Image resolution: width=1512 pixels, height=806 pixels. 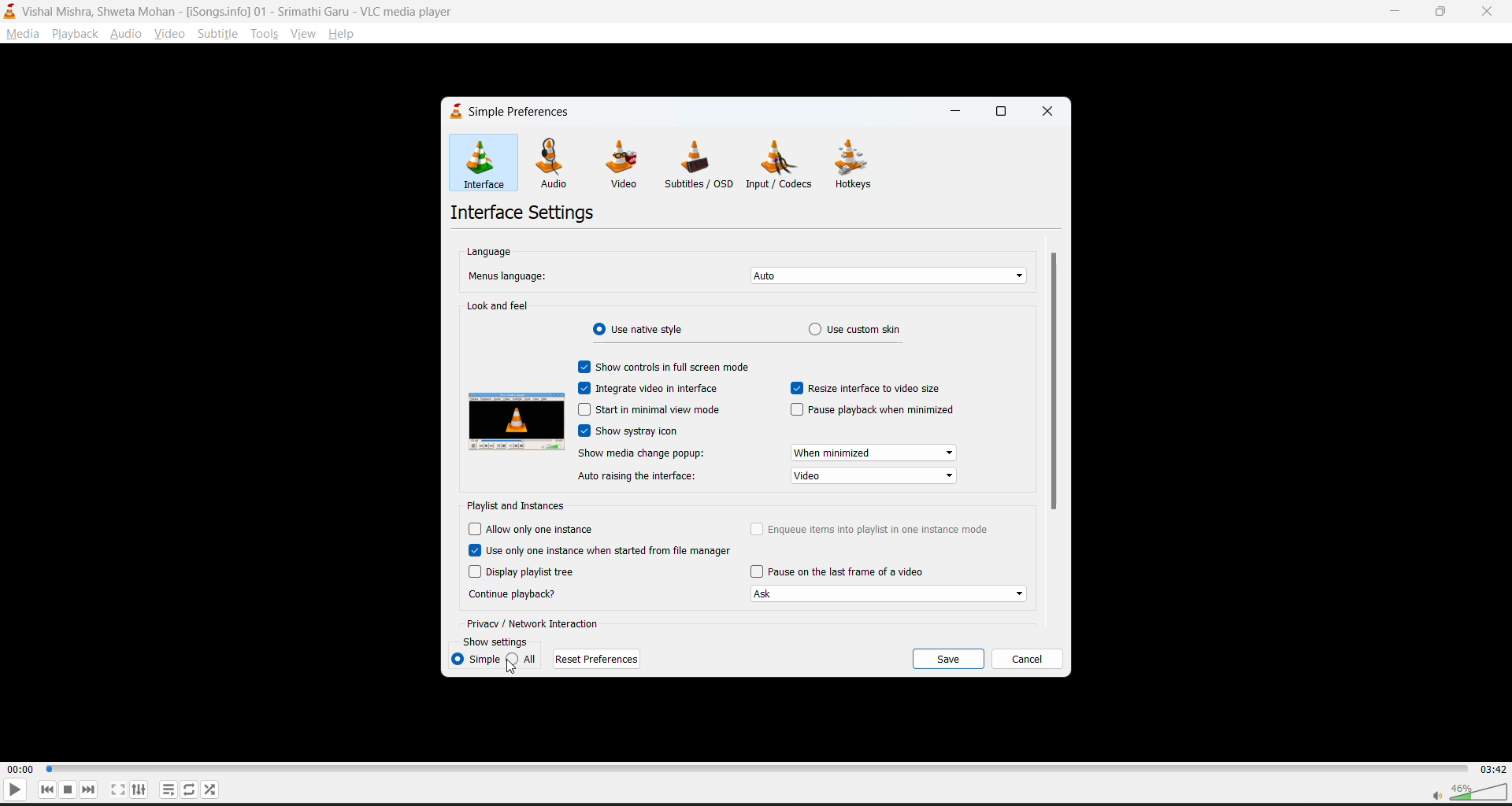 I want to click on Vishal Mishra, Shweta Mohan - [iSongs.ingo] - 01 - Srimathi Garu - VLC Player, so click(x=241, y=11).